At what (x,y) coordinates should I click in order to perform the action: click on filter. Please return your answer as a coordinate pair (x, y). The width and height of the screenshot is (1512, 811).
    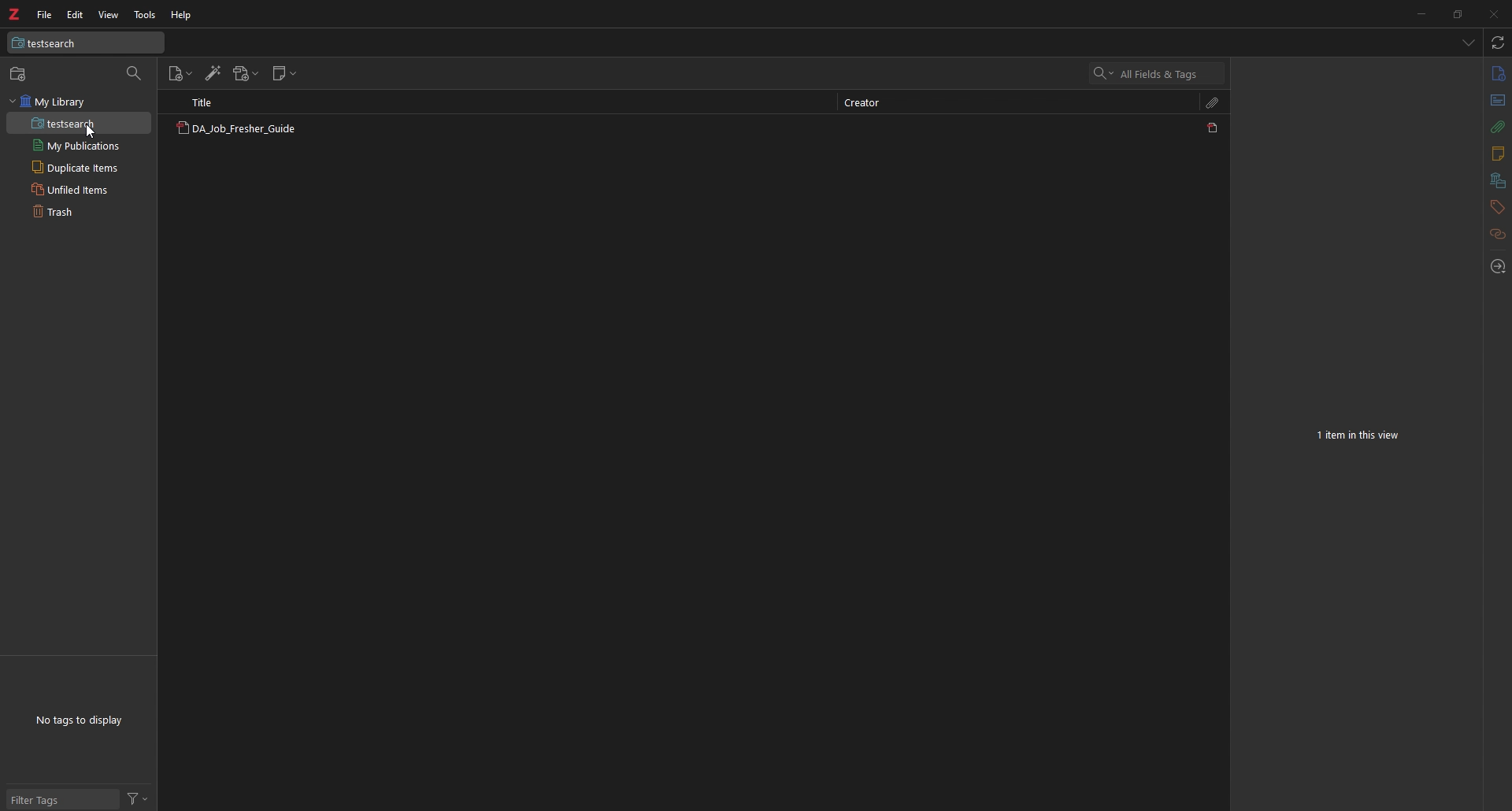
    Looking at the image, I should click on (137, 798).